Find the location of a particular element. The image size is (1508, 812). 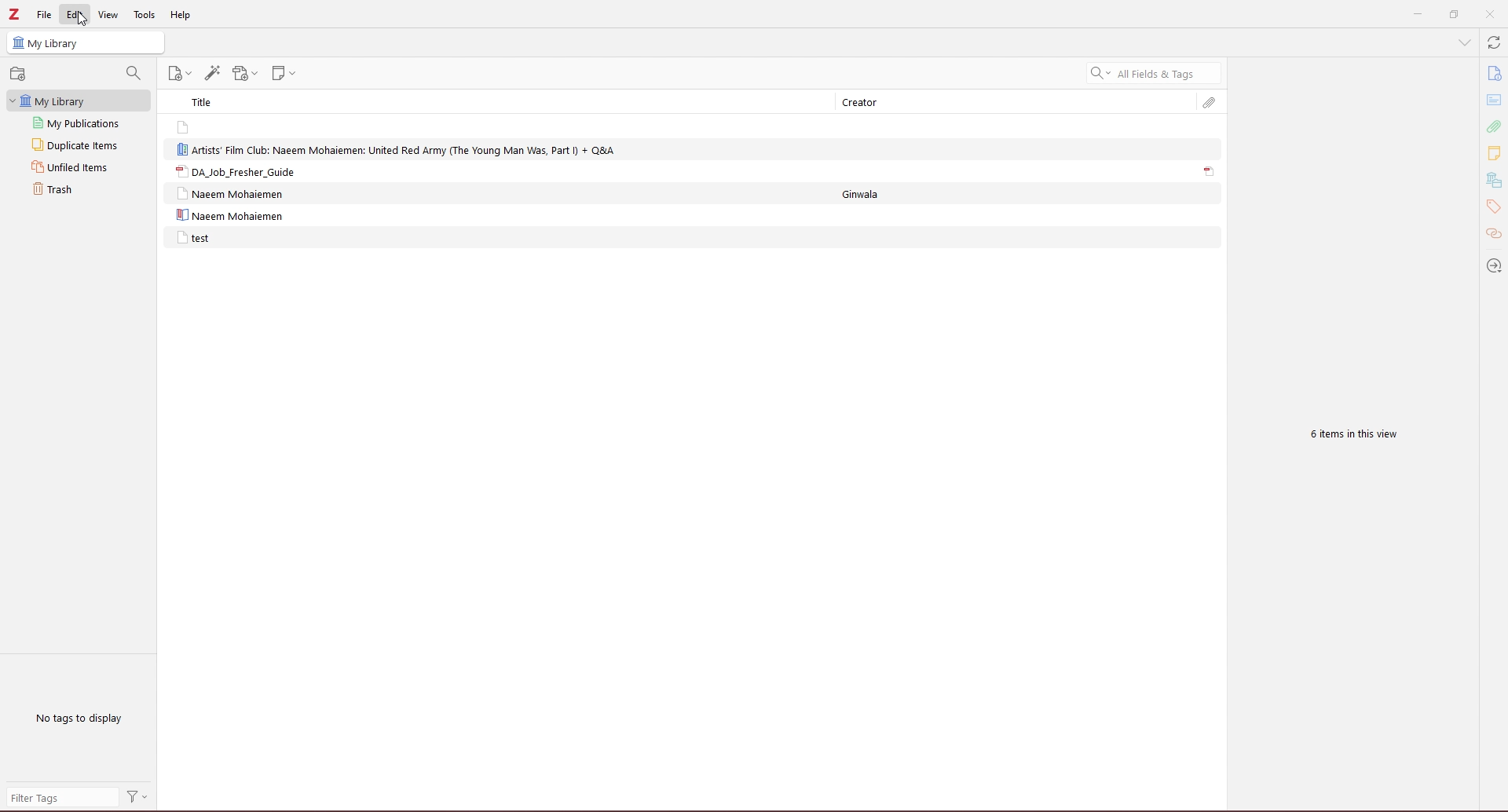

my library is located at coordinates (80, 101).